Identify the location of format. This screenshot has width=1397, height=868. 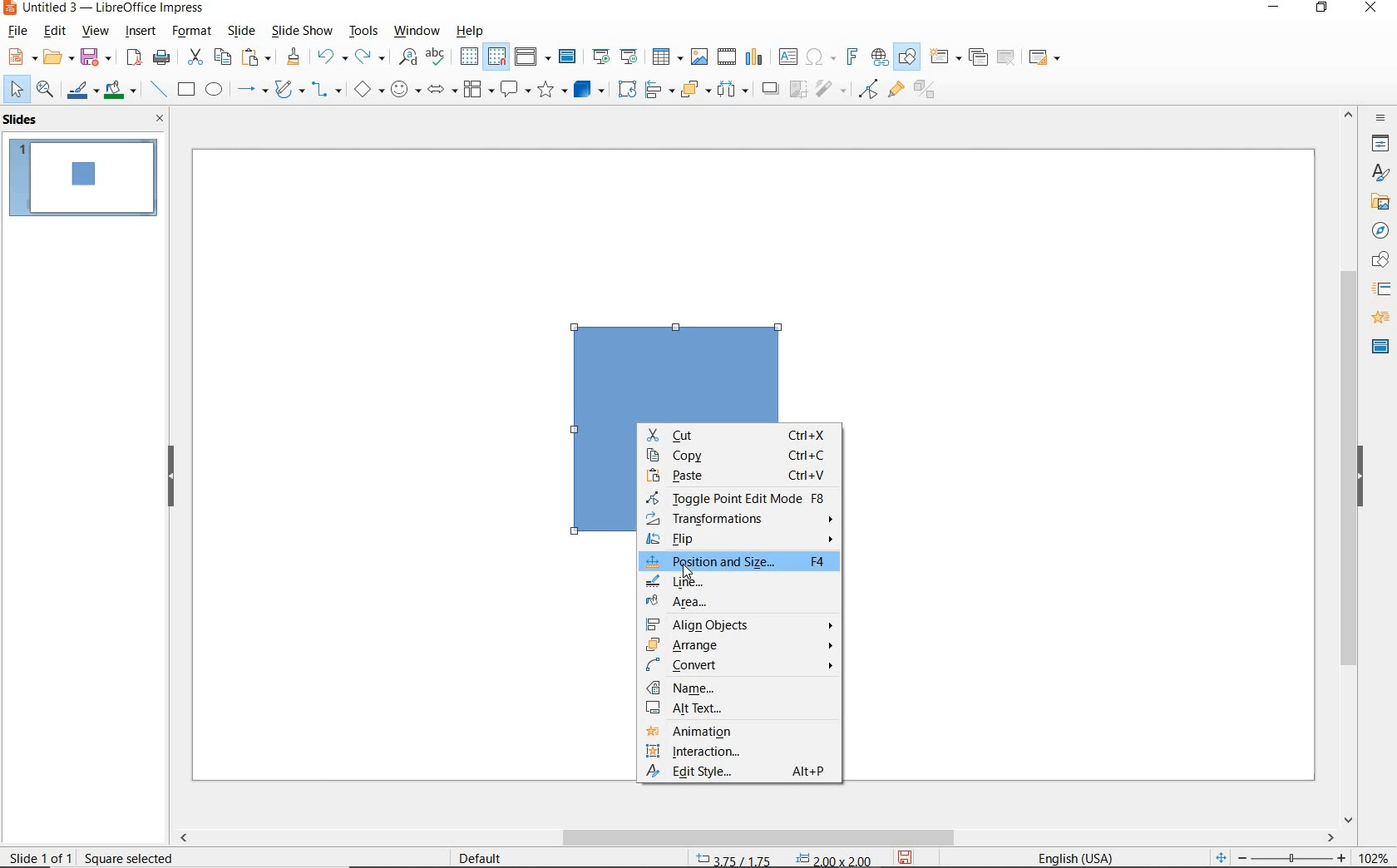
(194, 32).